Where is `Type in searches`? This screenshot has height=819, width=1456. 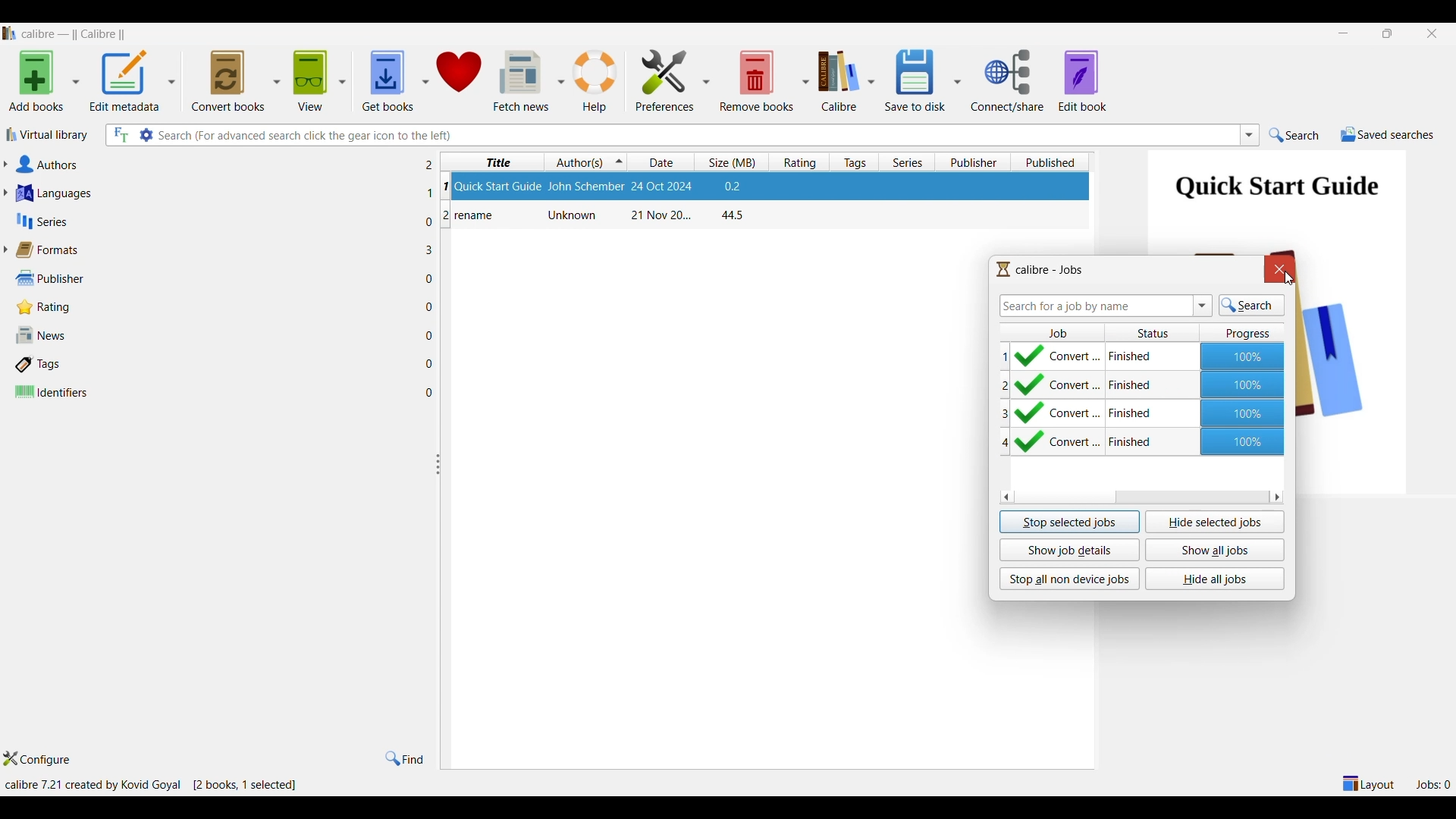 Type in searches is located at coordinates (696, 136).